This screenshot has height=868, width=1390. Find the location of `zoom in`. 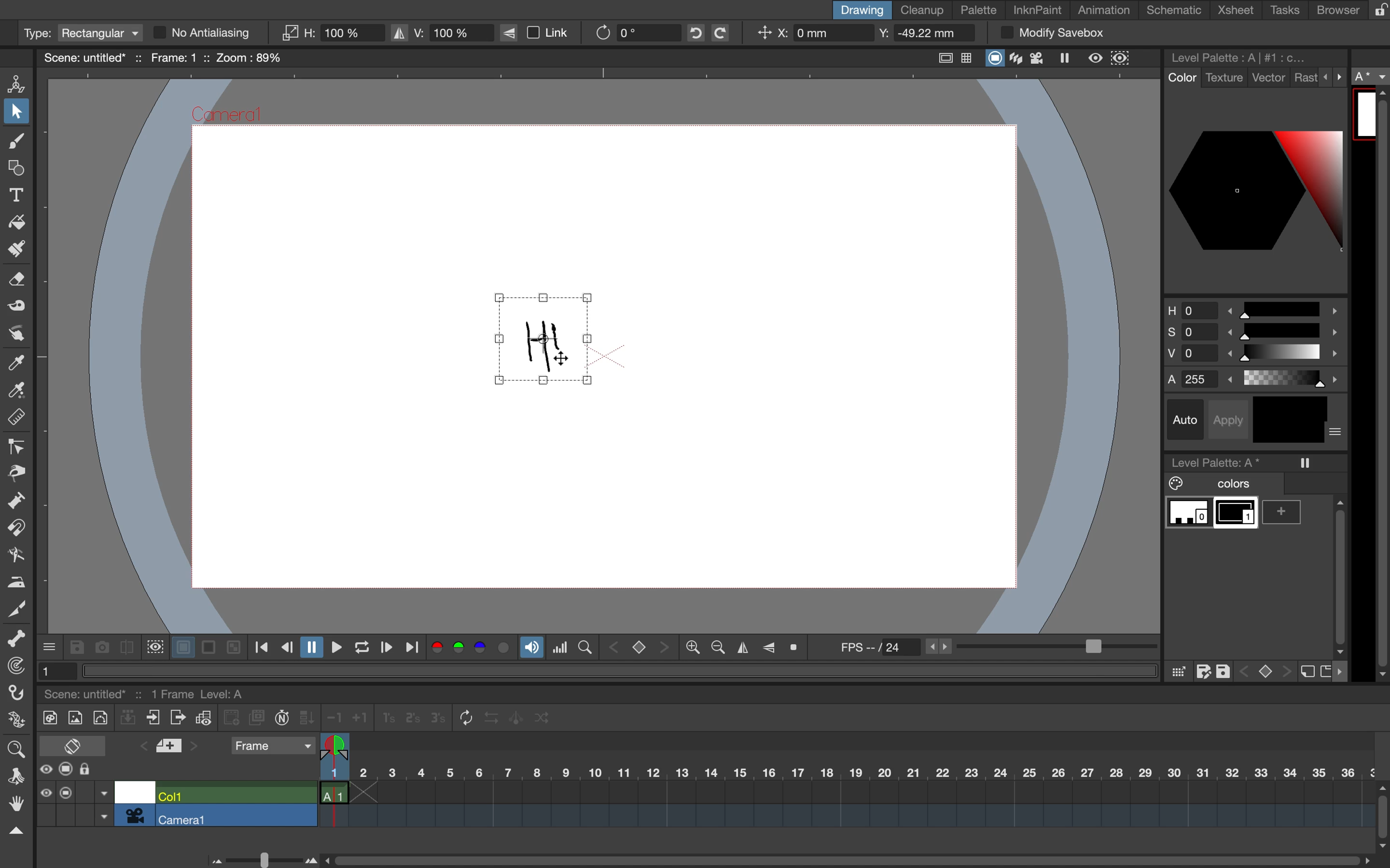

zoom in is located at coordinates (715, 648).